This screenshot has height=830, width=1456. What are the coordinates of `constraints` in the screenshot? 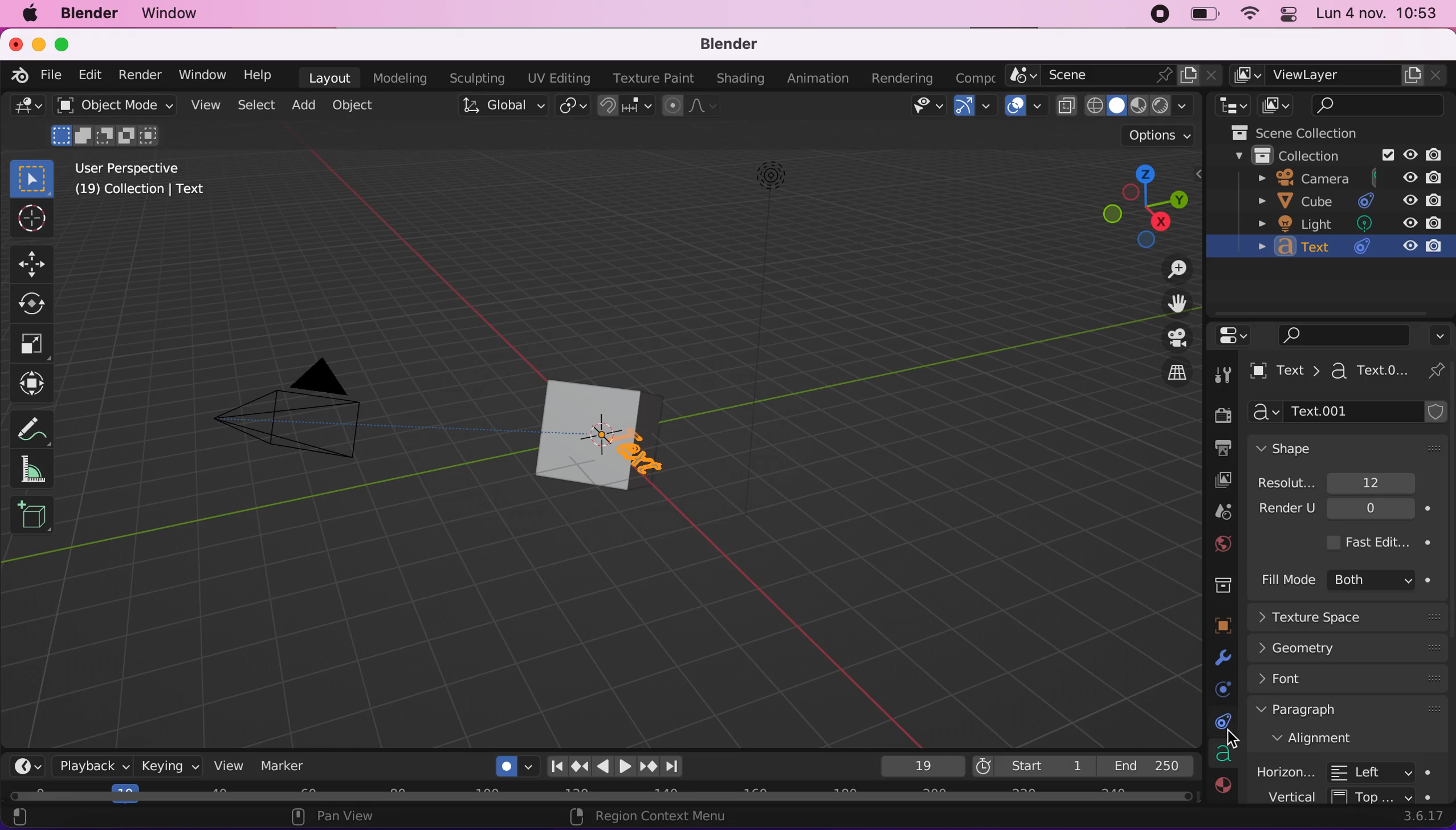 It's located at (1220, 723).